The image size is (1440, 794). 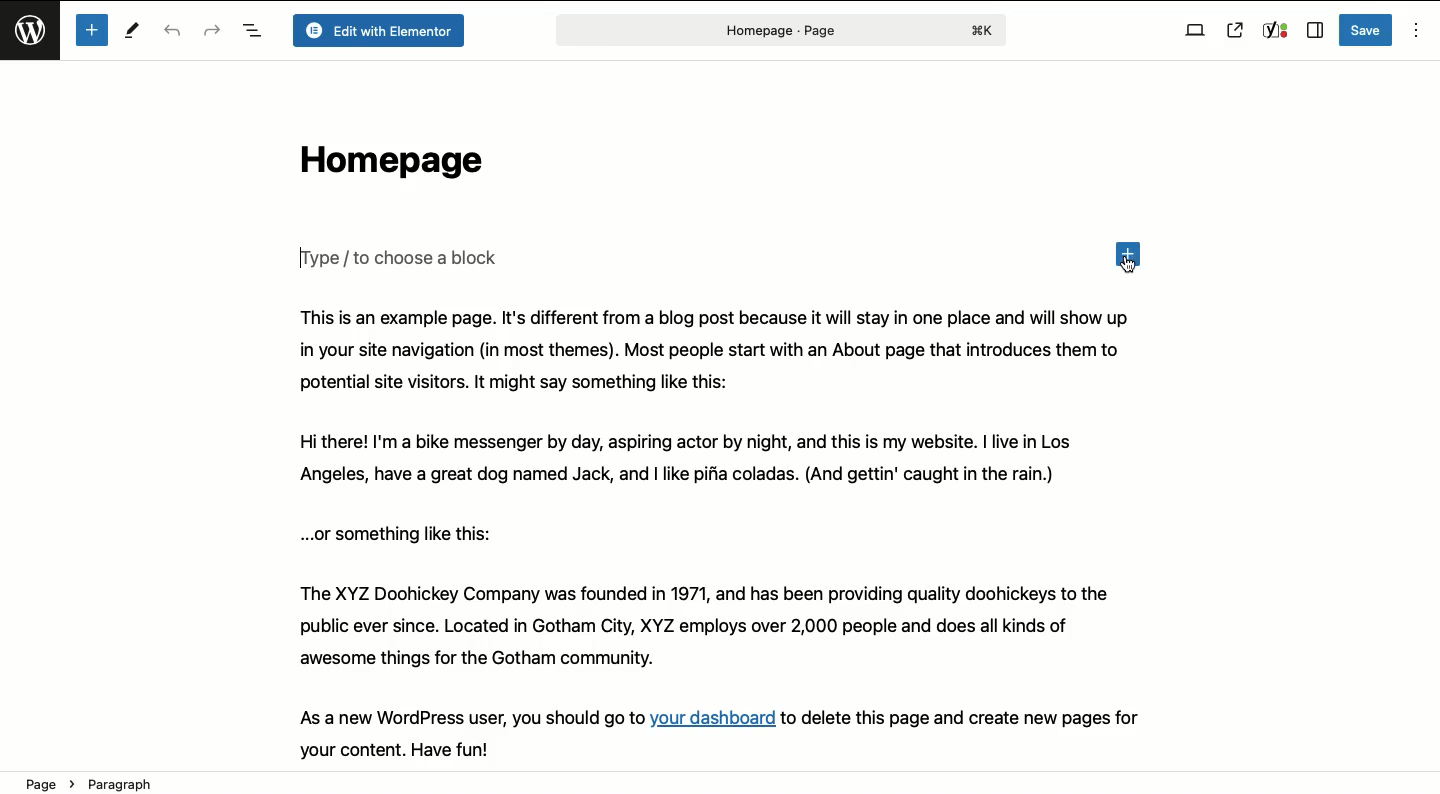 What do you see at coordinates (1235, 30) in the screenshot?
I see `View page` at bounding box center [1235, 30].